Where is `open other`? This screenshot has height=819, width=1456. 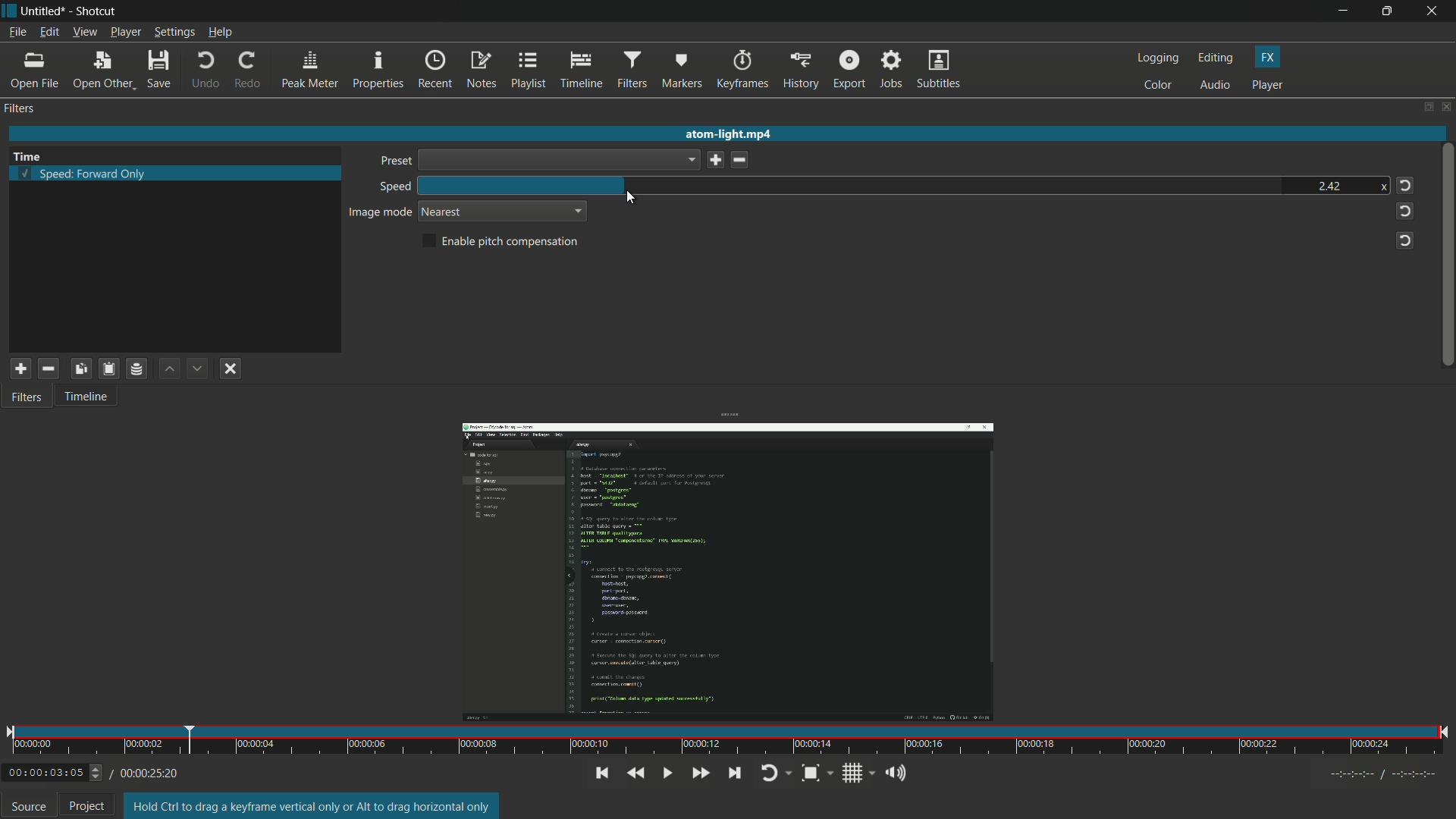 open other is located at coordinates (102, 71).